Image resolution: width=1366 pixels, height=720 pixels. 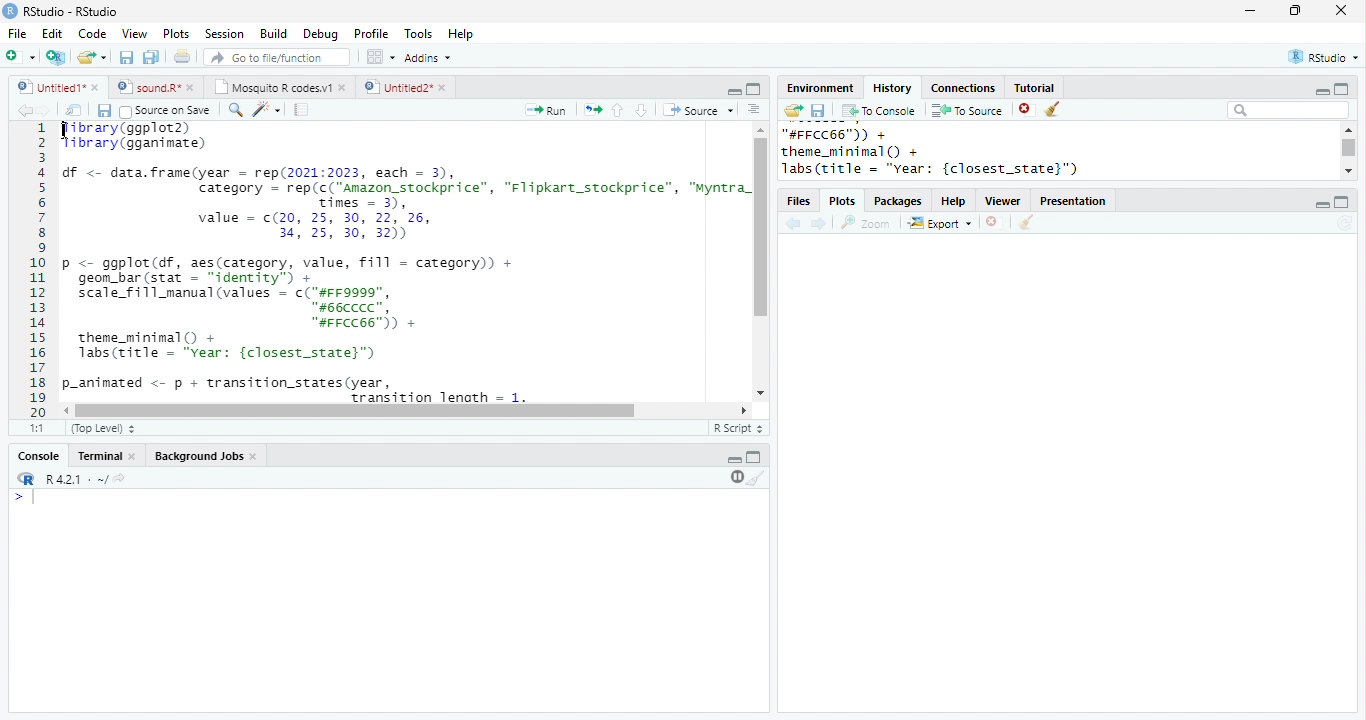 What do you see at coordinates (737, 427) in the screenshot?
I see `R Script` at bounding box center [737, 427].